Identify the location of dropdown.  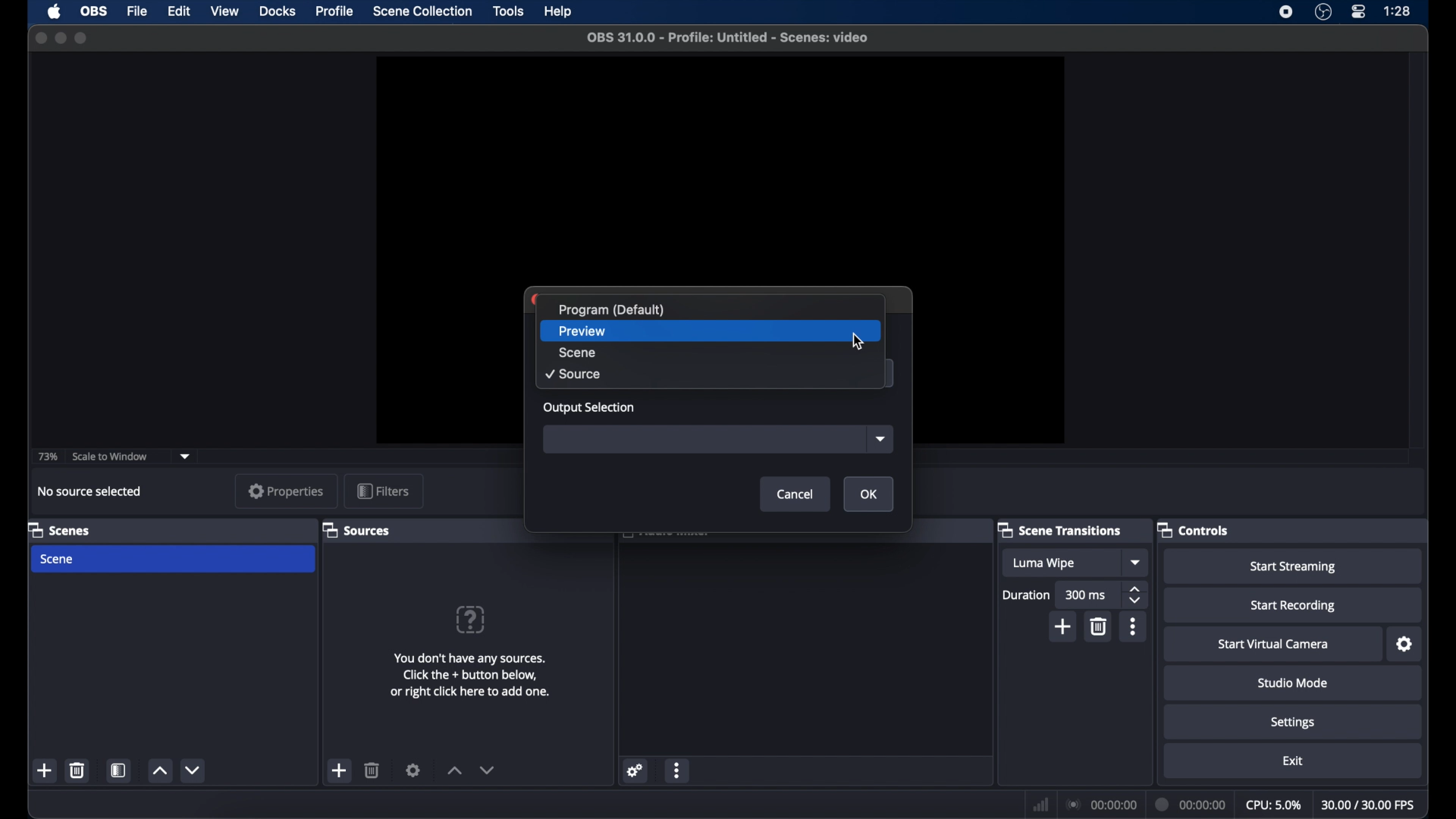
(185, 457).